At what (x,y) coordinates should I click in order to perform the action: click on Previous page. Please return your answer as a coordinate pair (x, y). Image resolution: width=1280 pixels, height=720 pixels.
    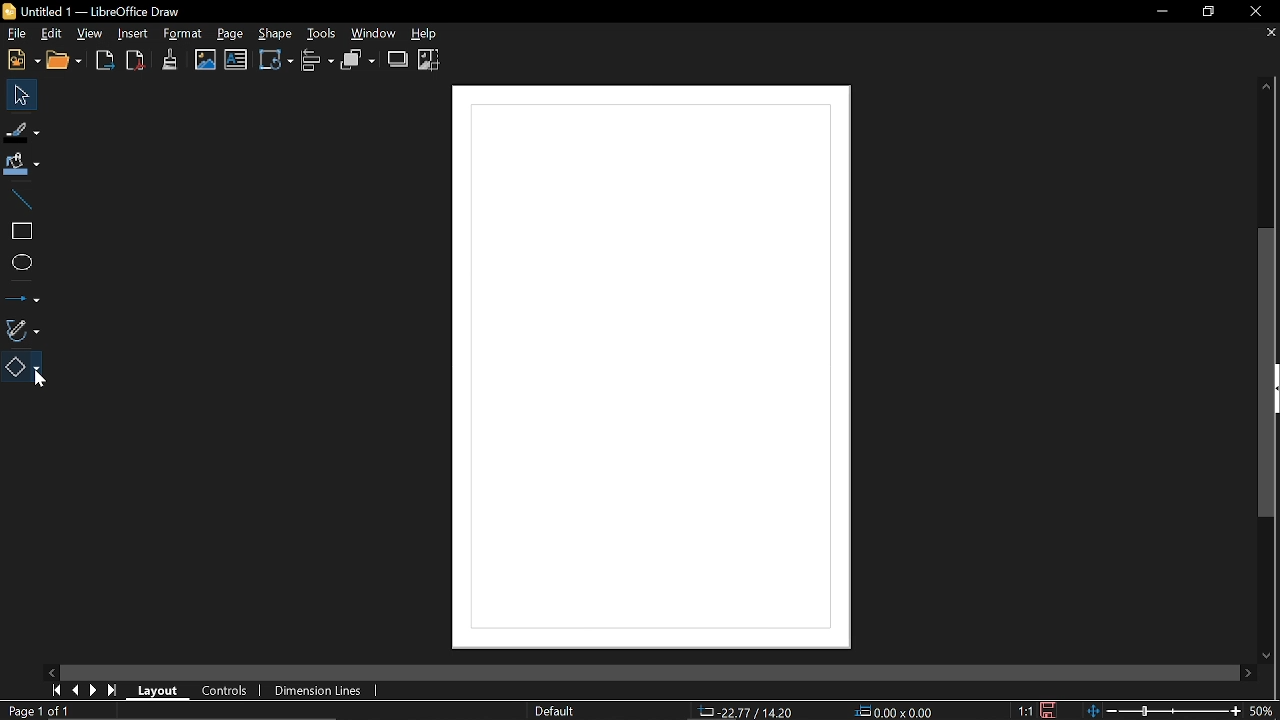
    Looking at the image, I should click on (75, 691).